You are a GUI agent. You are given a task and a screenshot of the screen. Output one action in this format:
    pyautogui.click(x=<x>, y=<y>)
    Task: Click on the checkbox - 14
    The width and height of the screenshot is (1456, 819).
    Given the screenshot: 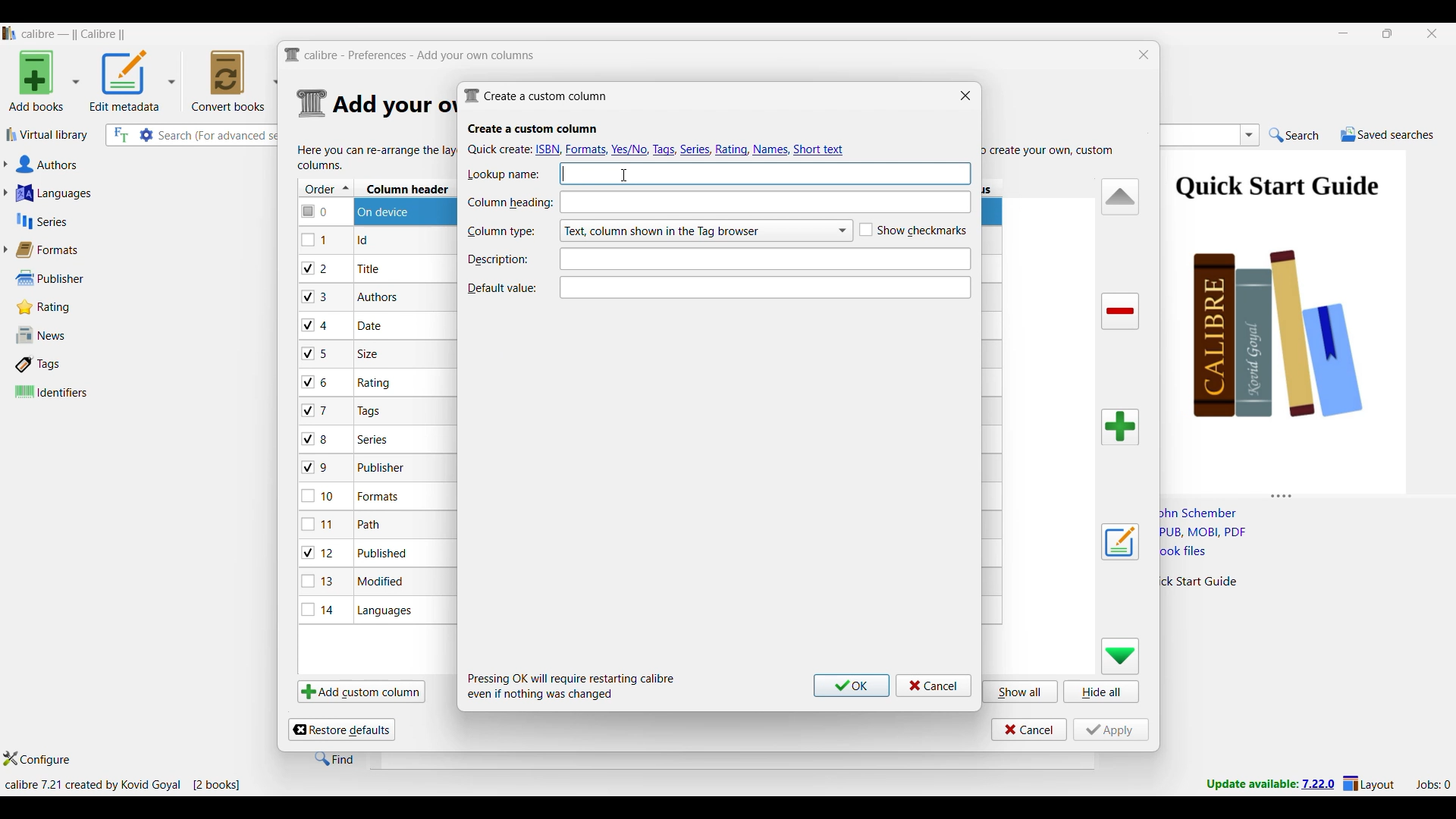 What is the action you would take?
    pyautogui.click(x=318, y=609)
    